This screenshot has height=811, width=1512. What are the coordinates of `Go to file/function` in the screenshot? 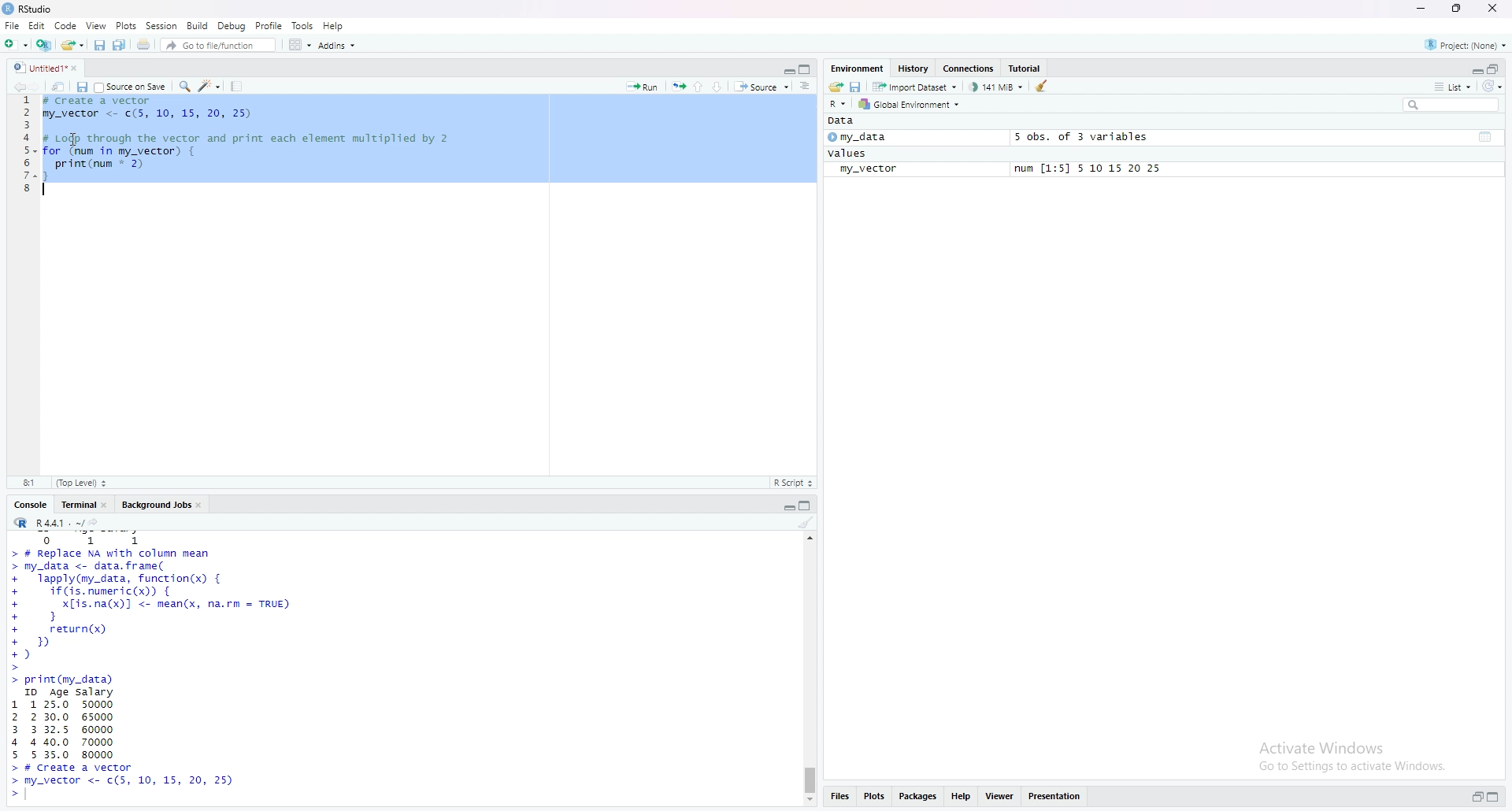 It's located at (217, 46).